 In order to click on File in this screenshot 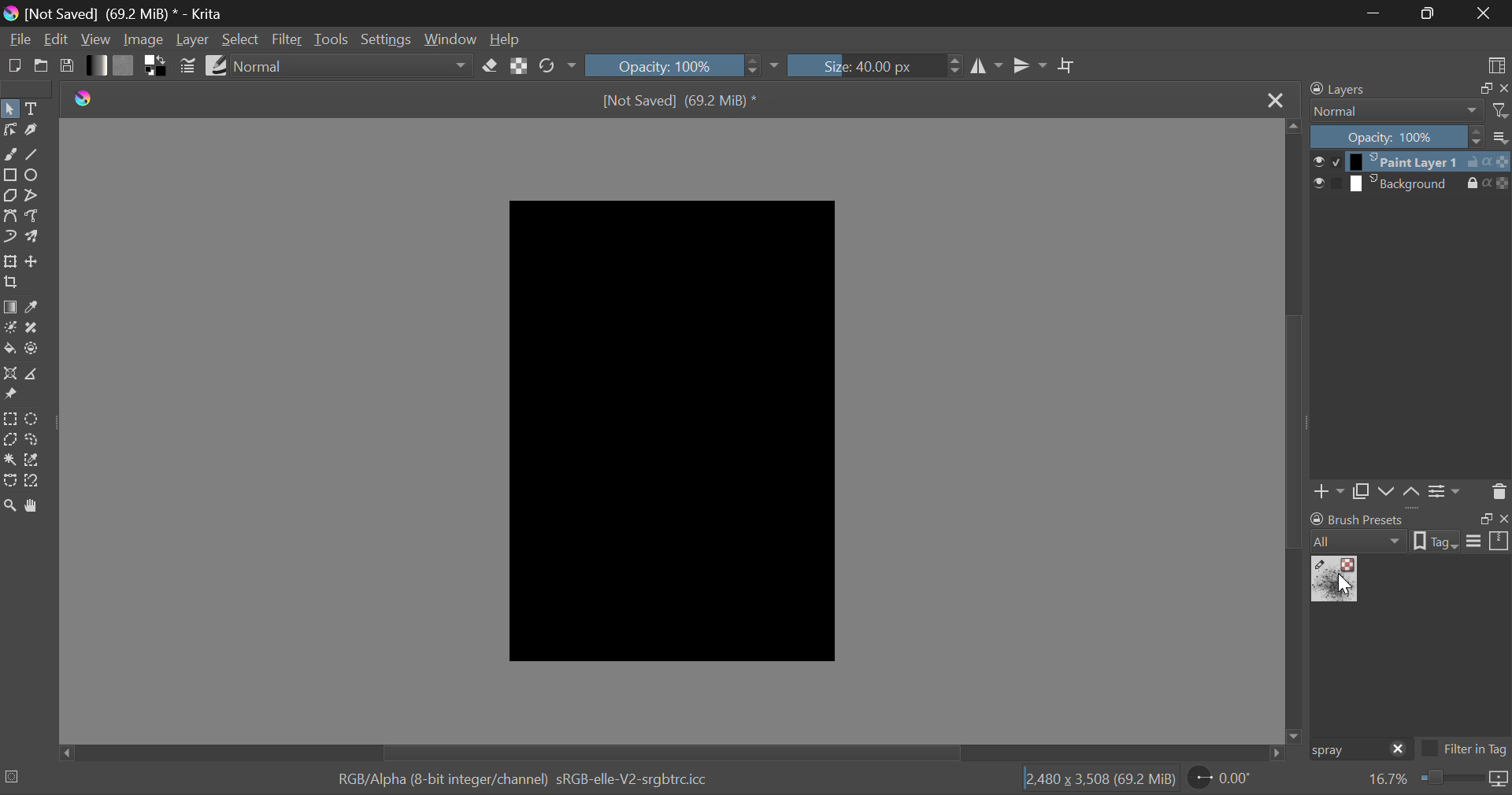, I will do `click(19, 38)`.